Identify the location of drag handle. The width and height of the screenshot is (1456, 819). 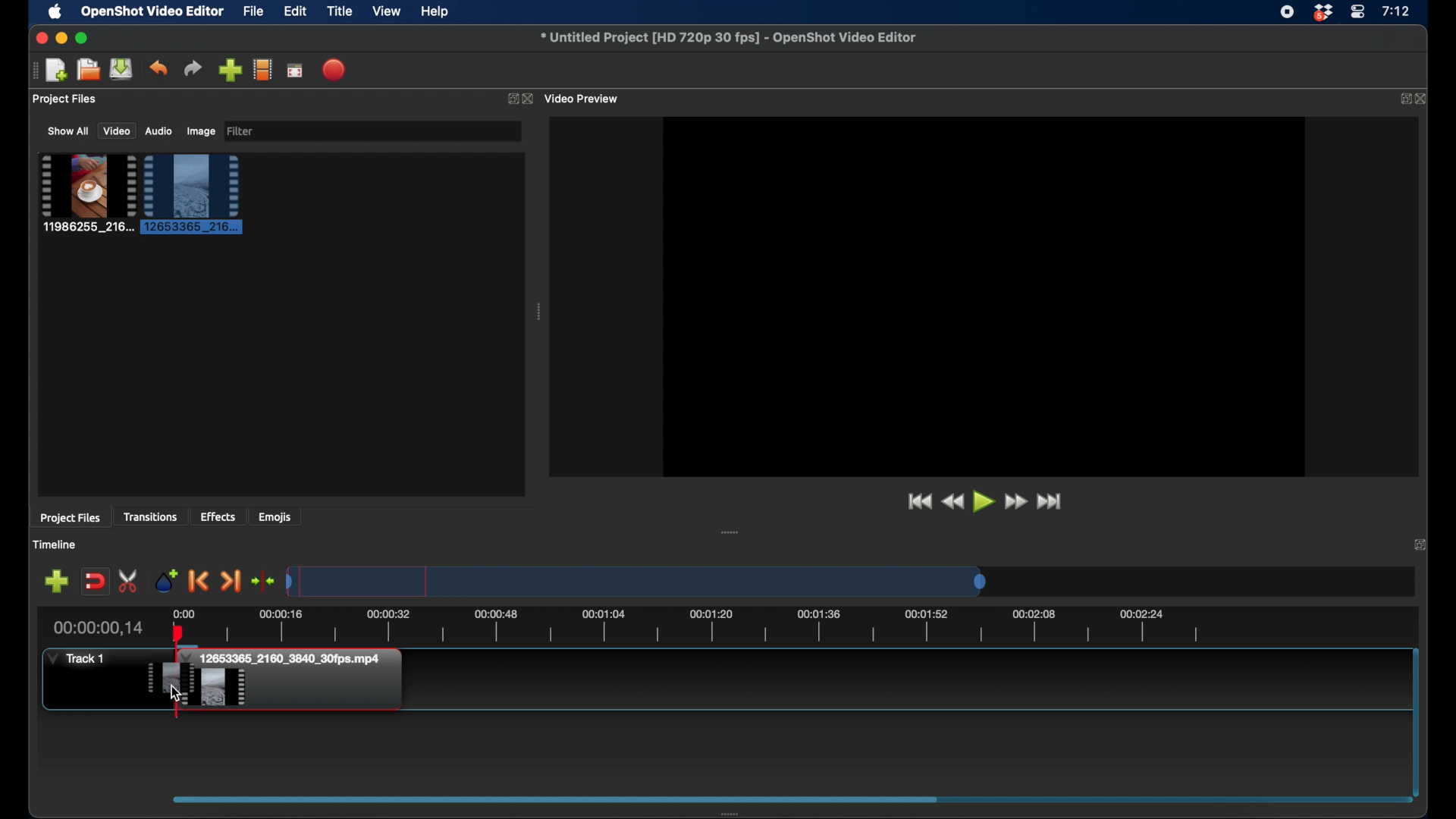
(555, 798).